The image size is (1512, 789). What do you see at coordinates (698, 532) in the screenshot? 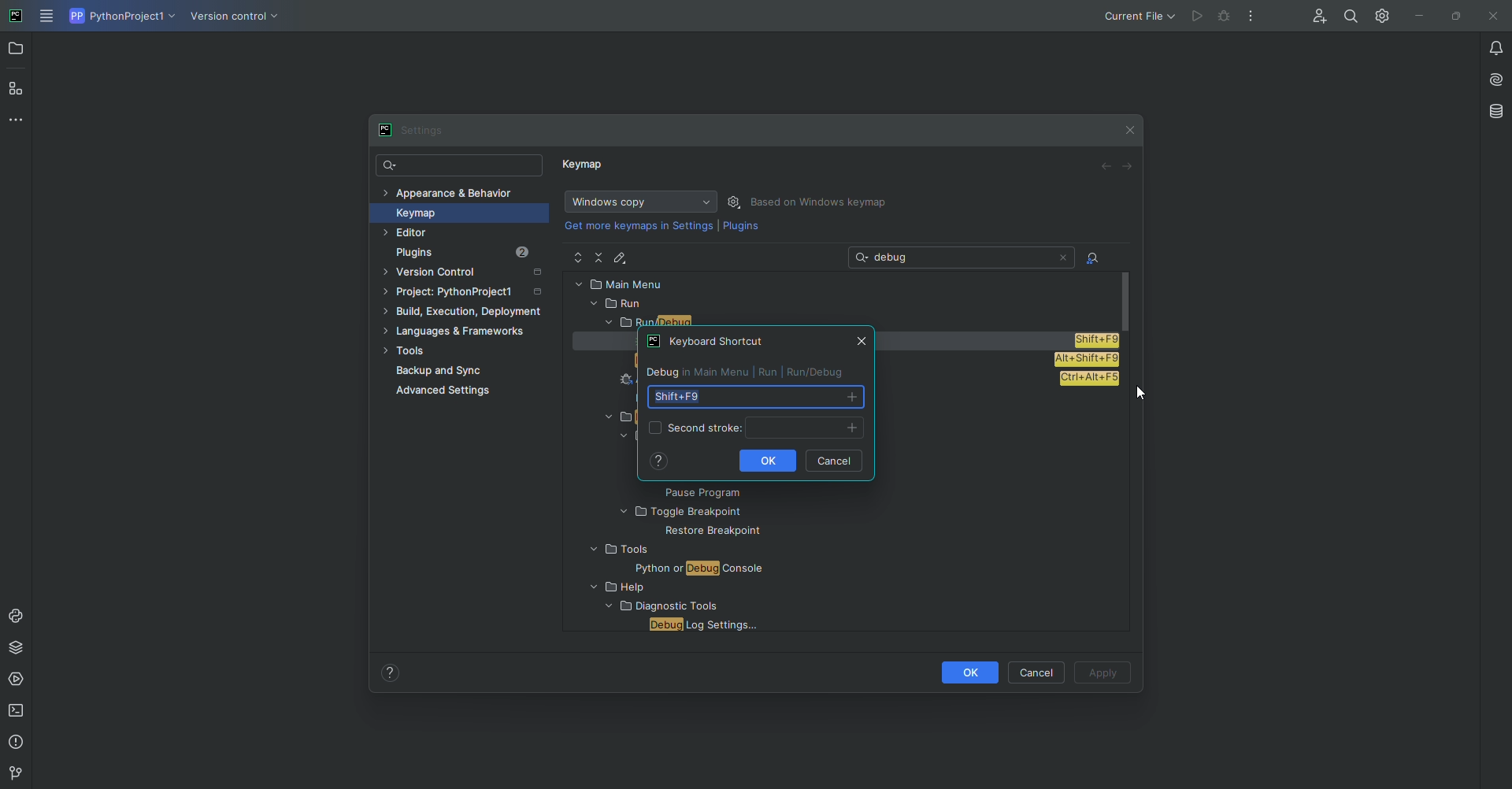
I see `FILE NAME` at bounding box center [698, 532].